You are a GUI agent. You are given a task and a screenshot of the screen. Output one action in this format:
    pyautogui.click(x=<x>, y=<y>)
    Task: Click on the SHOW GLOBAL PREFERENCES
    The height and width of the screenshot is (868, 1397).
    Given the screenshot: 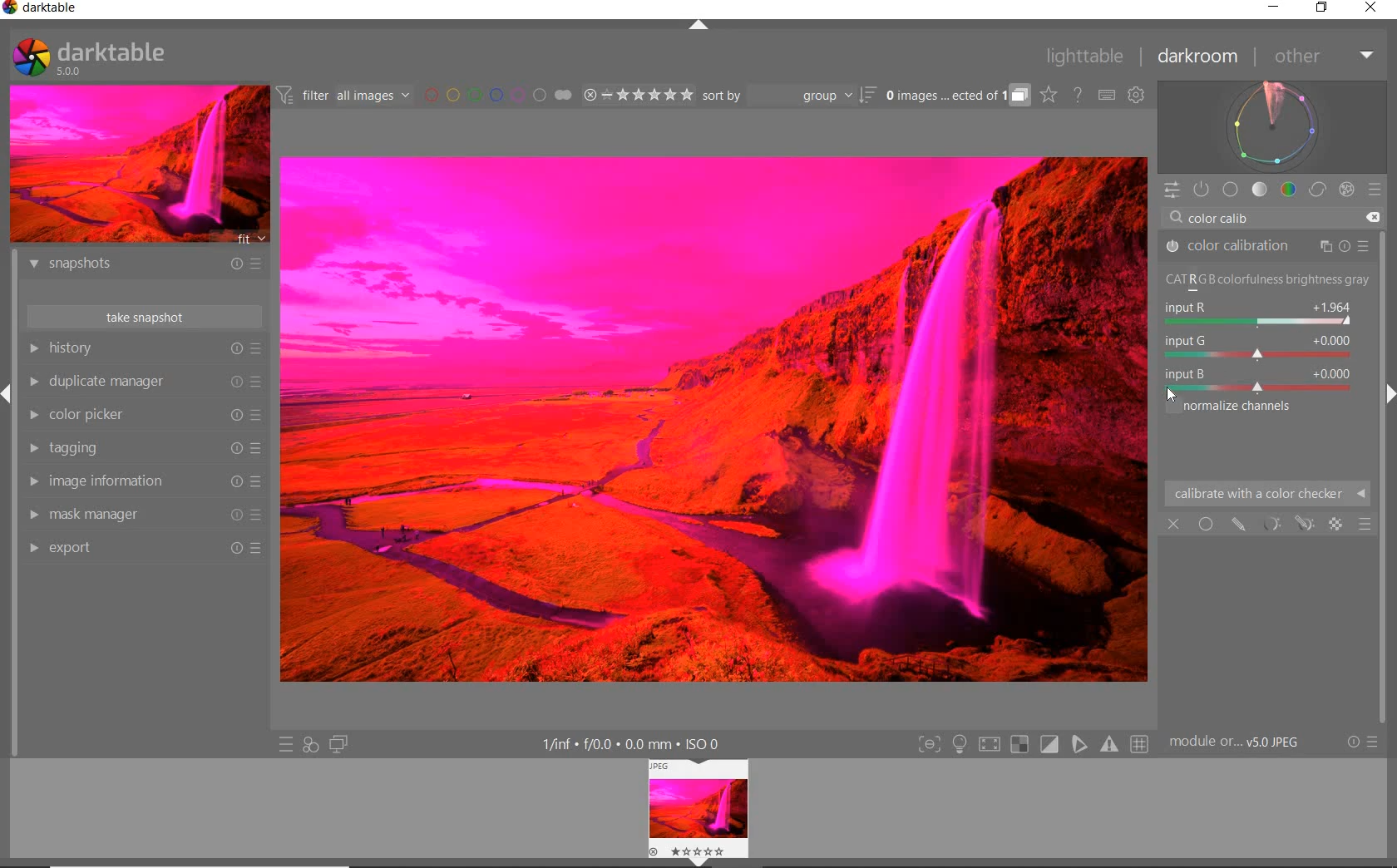 What is the action you would take?
    pyautogui.click(x=1136, y=95)
    